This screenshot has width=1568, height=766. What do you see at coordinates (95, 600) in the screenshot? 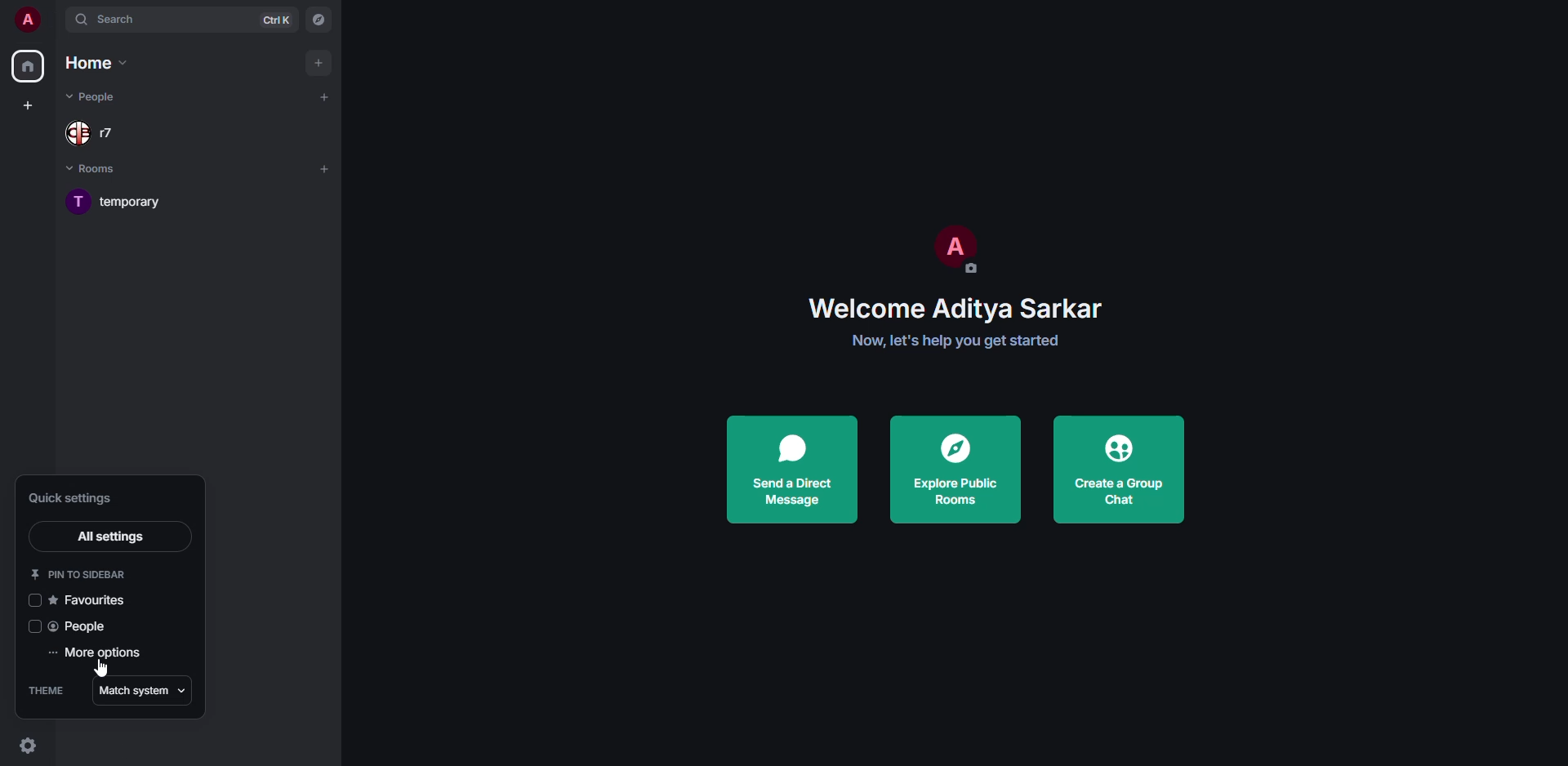
I see `favorites` at bounding box center [95, 600].